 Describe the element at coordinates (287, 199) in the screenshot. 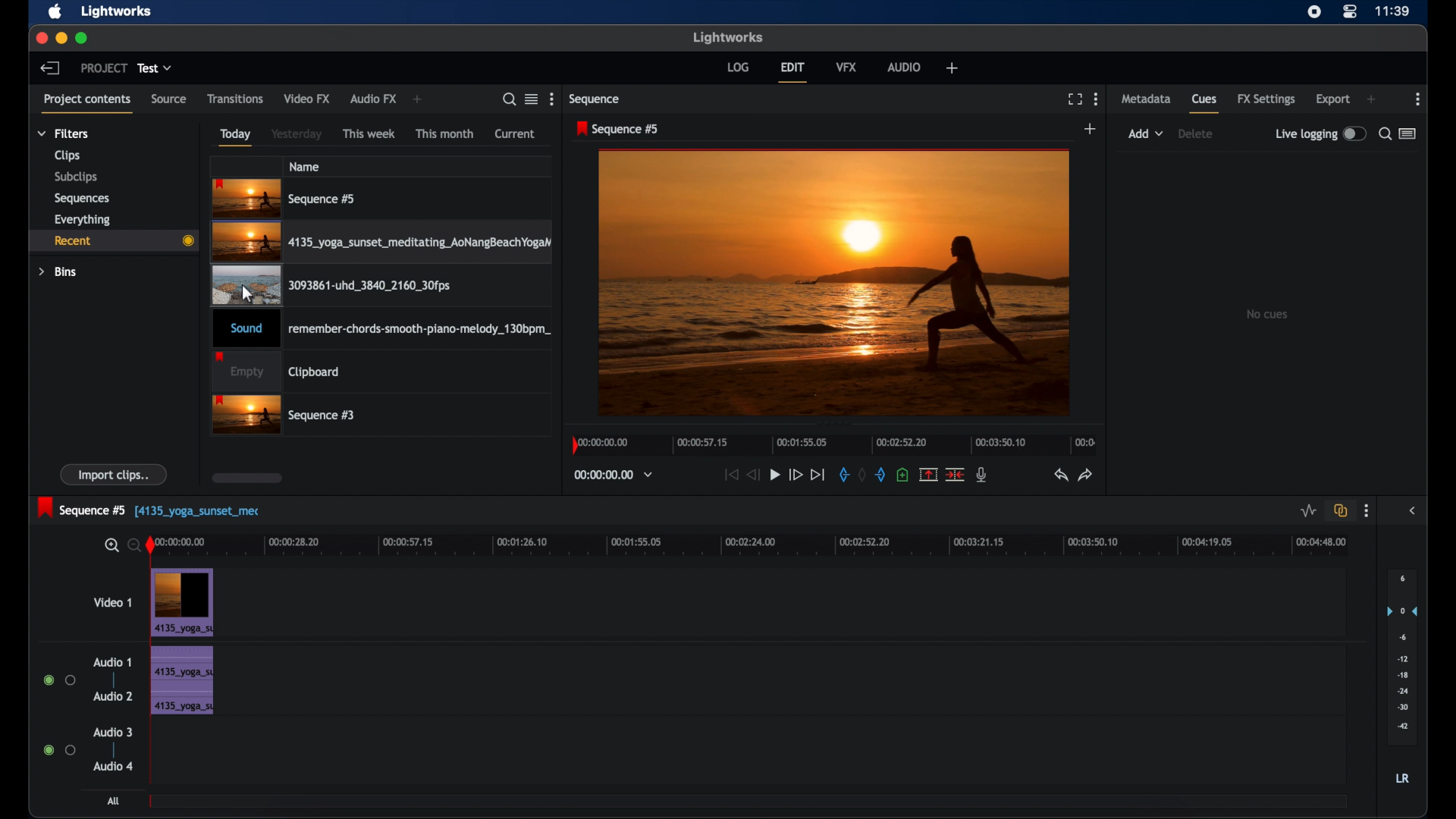

I see `sequence 5` at that location.